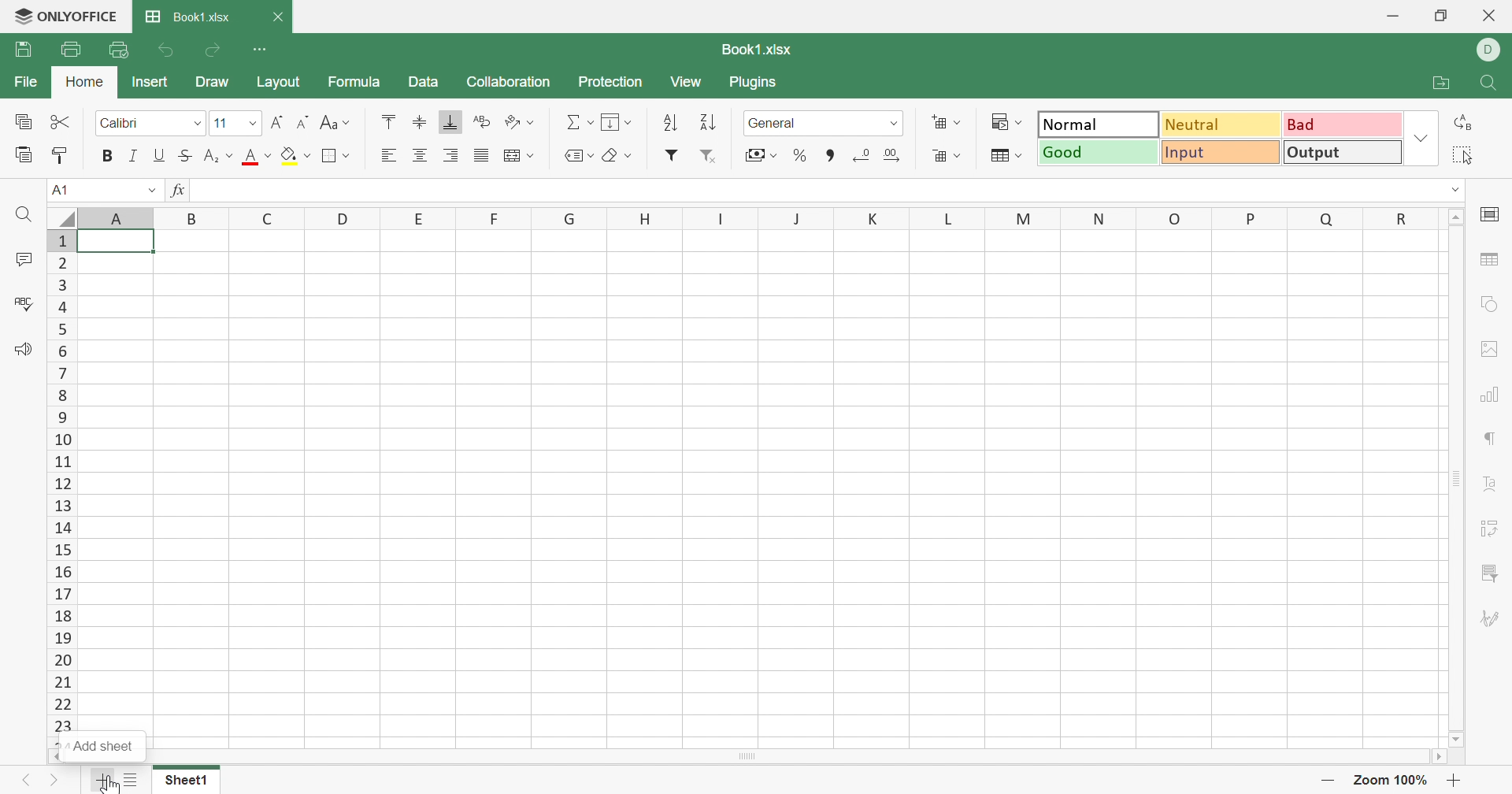 This screenshot has height=794, width=1512. I want to click on Bold, so click(109, 157).